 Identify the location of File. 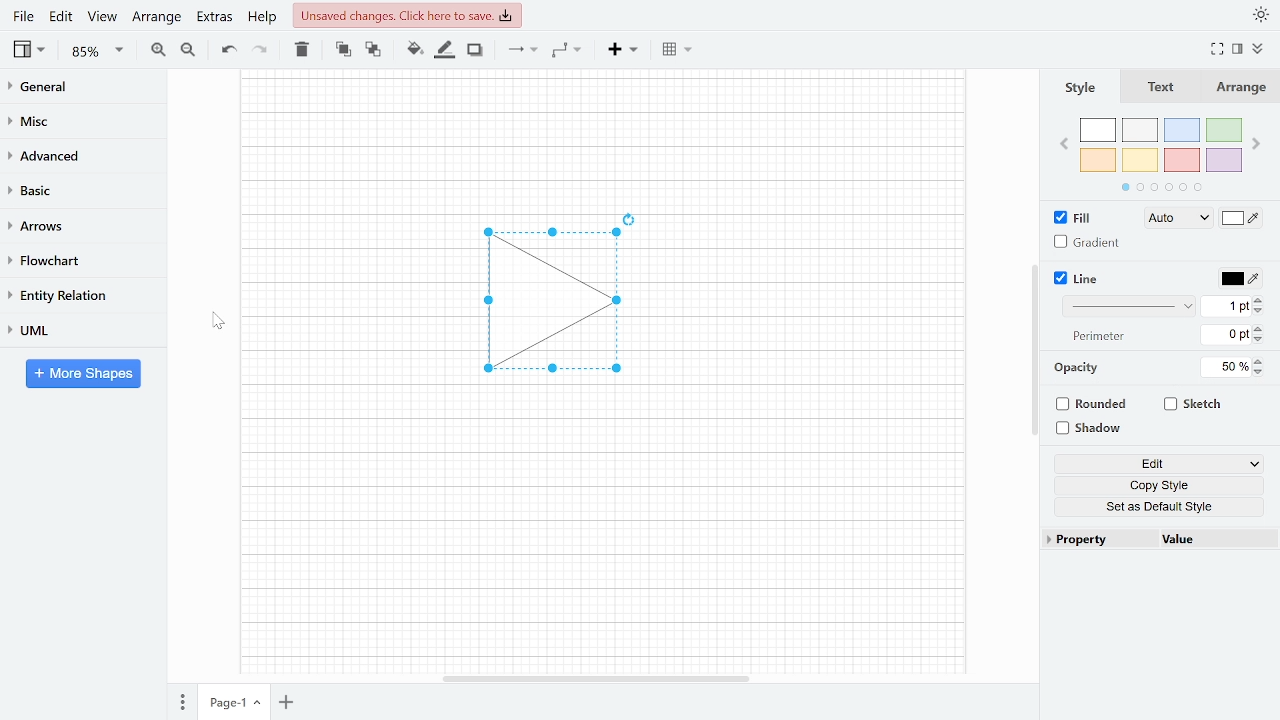
(23, 16).